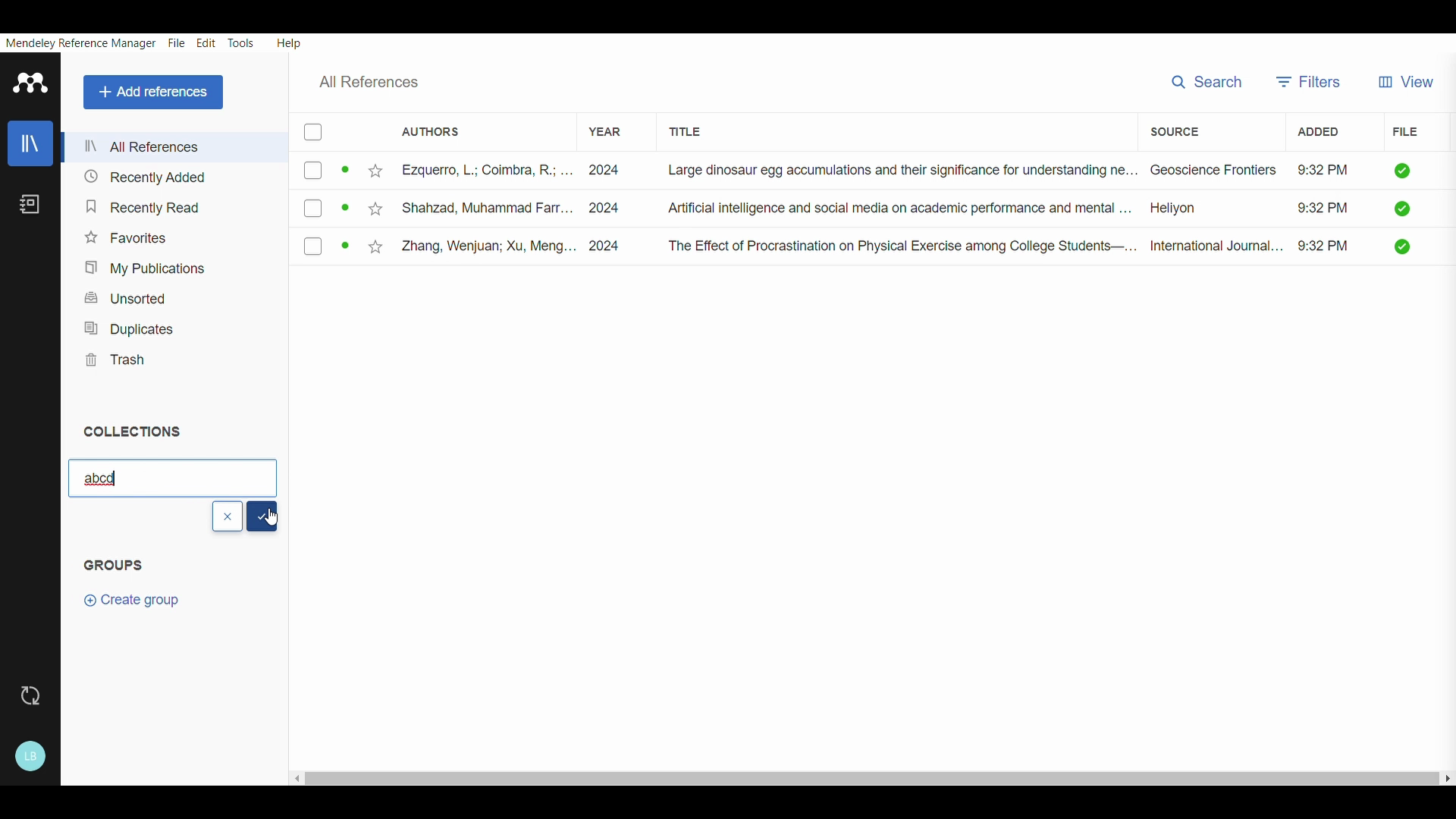 The image size is (1456, 819). I want to click on The Effect of Procrastination on Physical Exercise among College Students—... International Journal... 9:32 PM [], so click(1040, 246).